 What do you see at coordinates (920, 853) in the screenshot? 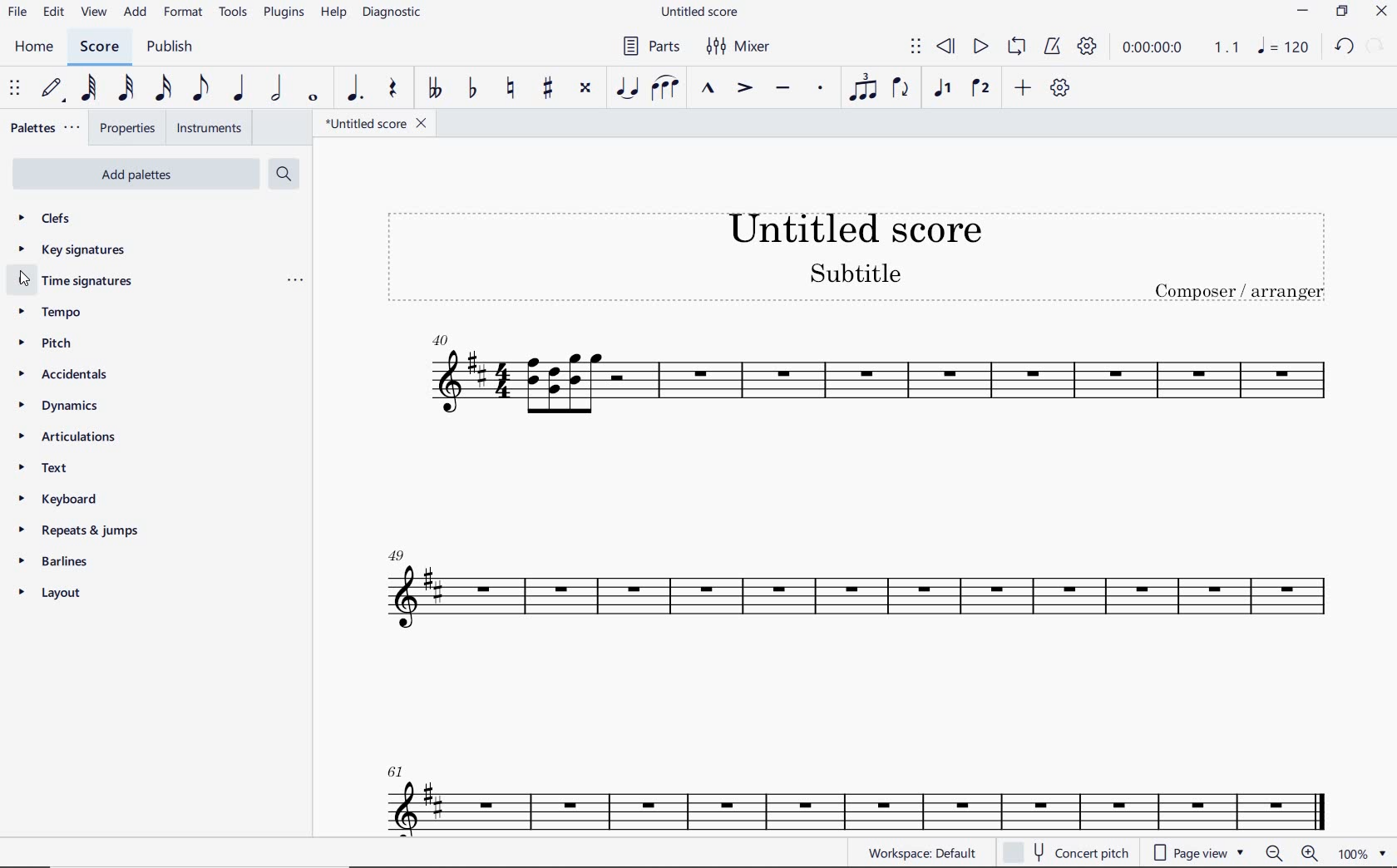
I see `WORKSPACE: DEFAULT` at bounding box center [920, 853].